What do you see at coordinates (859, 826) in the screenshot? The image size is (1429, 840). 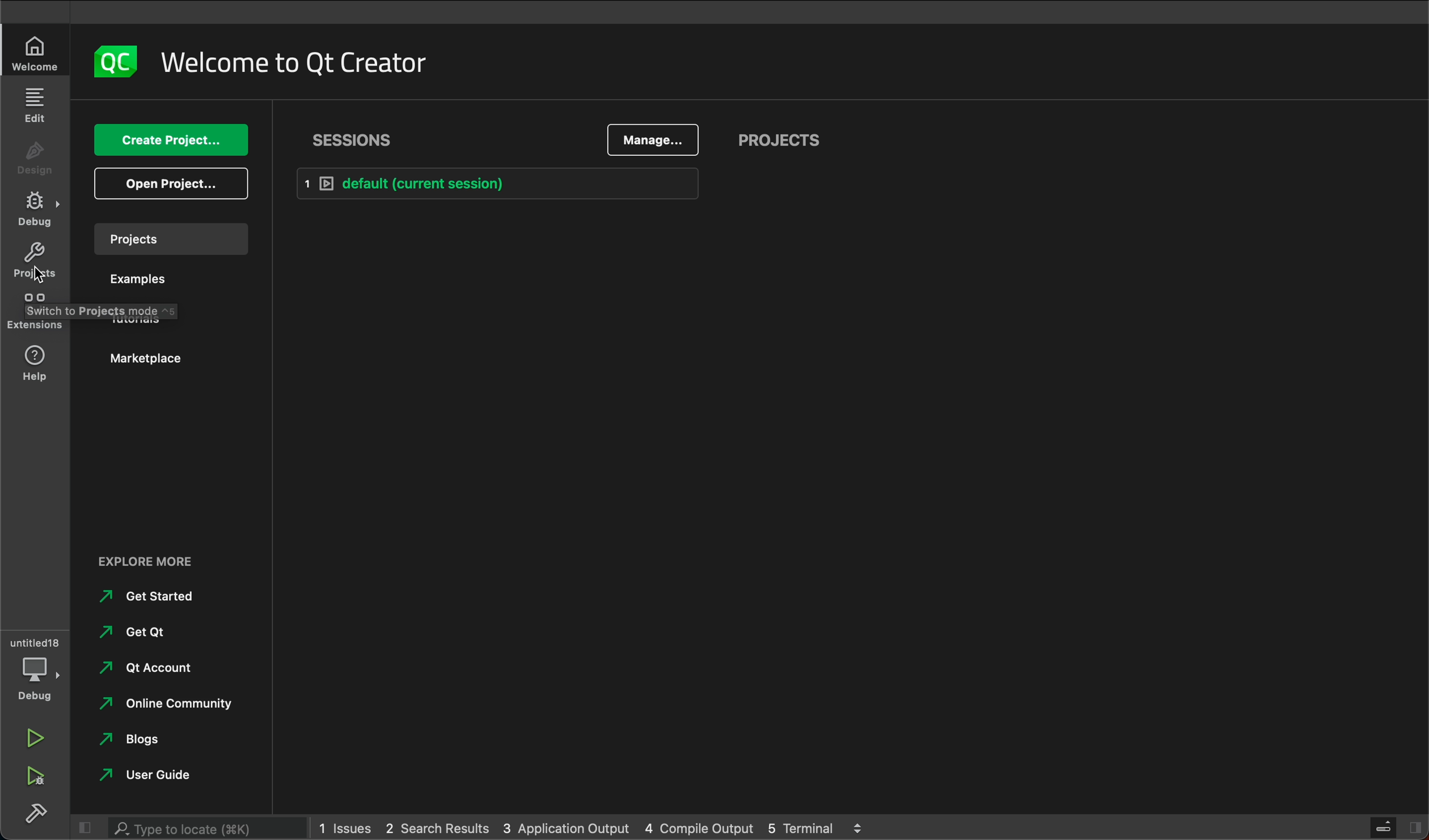 I see `logs` at bounding box center [859, 826].